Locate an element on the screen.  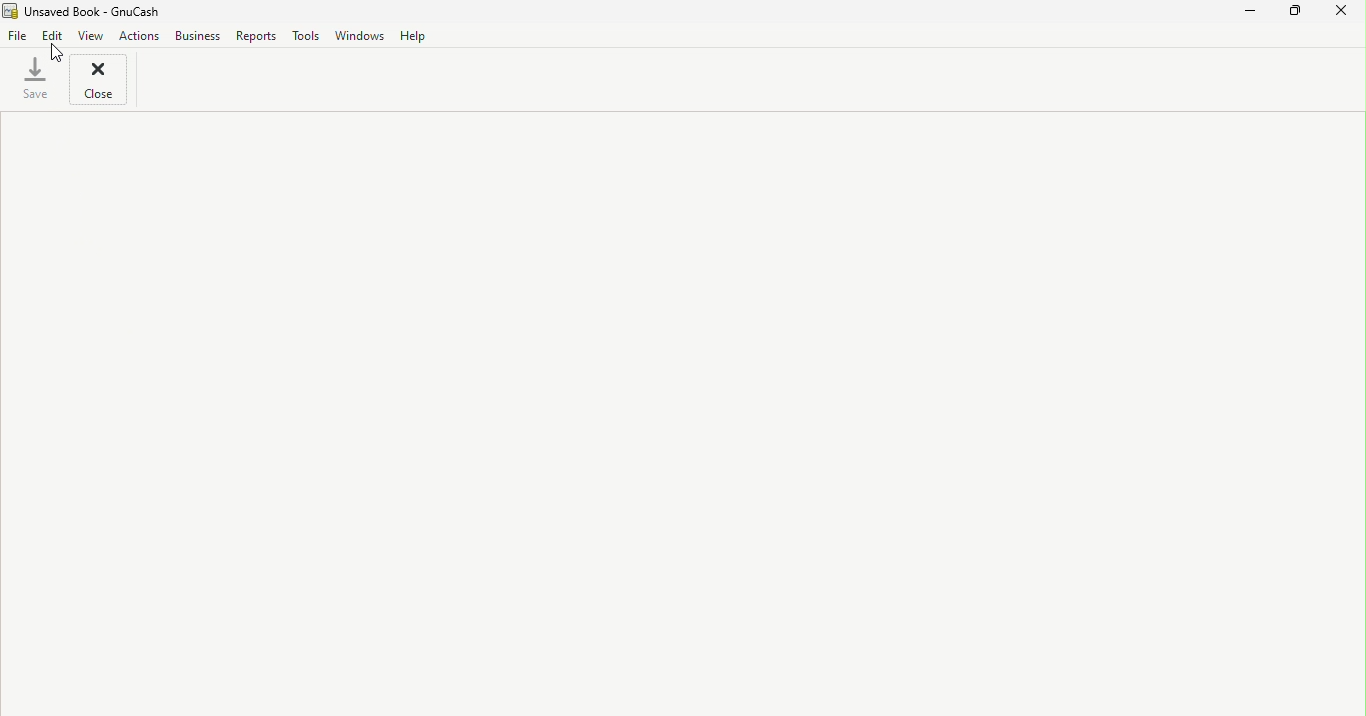
Maximize is located at coordinates (1296, 13).